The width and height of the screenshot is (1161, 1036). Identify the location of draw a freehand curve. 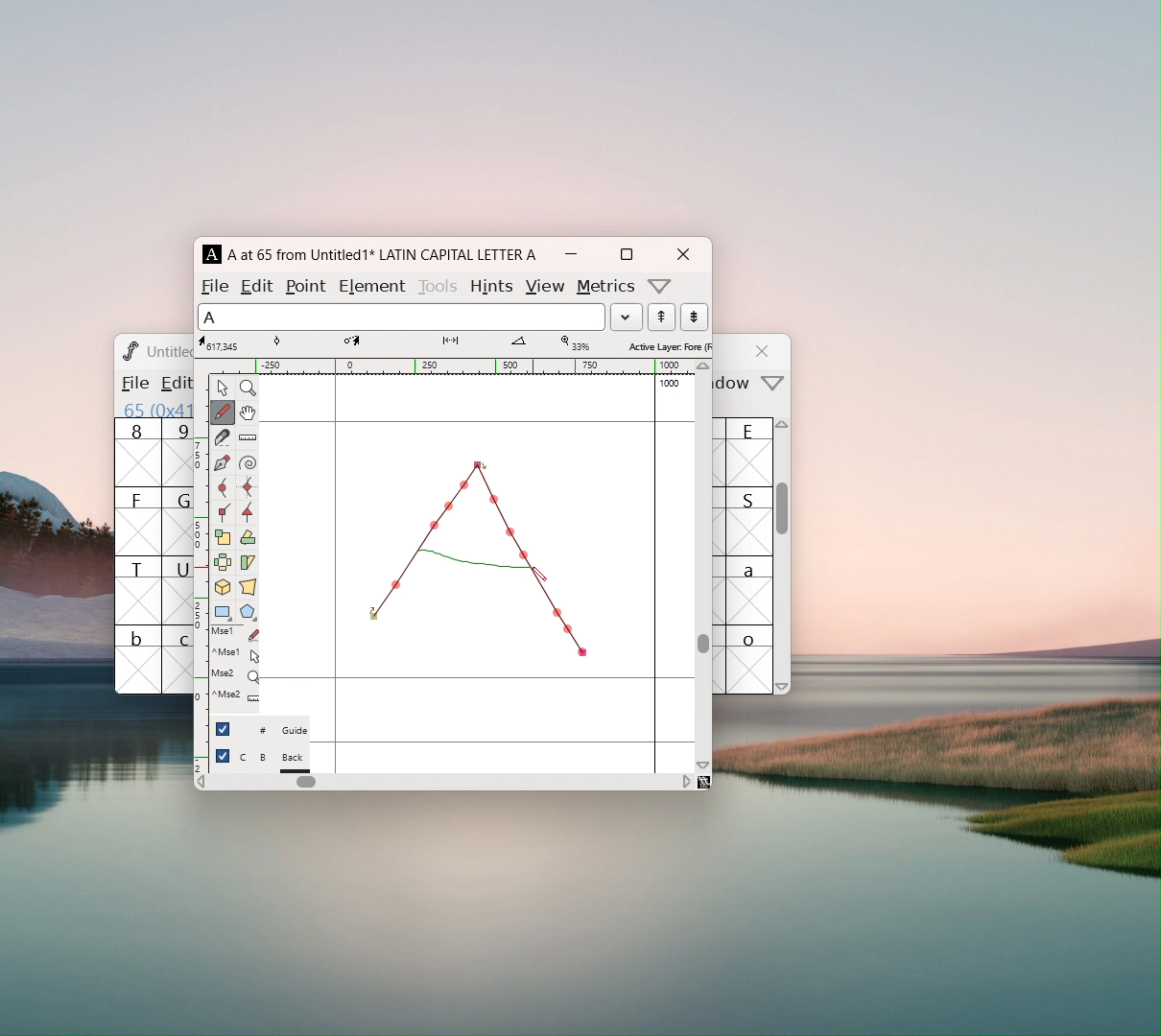
(223, 412).